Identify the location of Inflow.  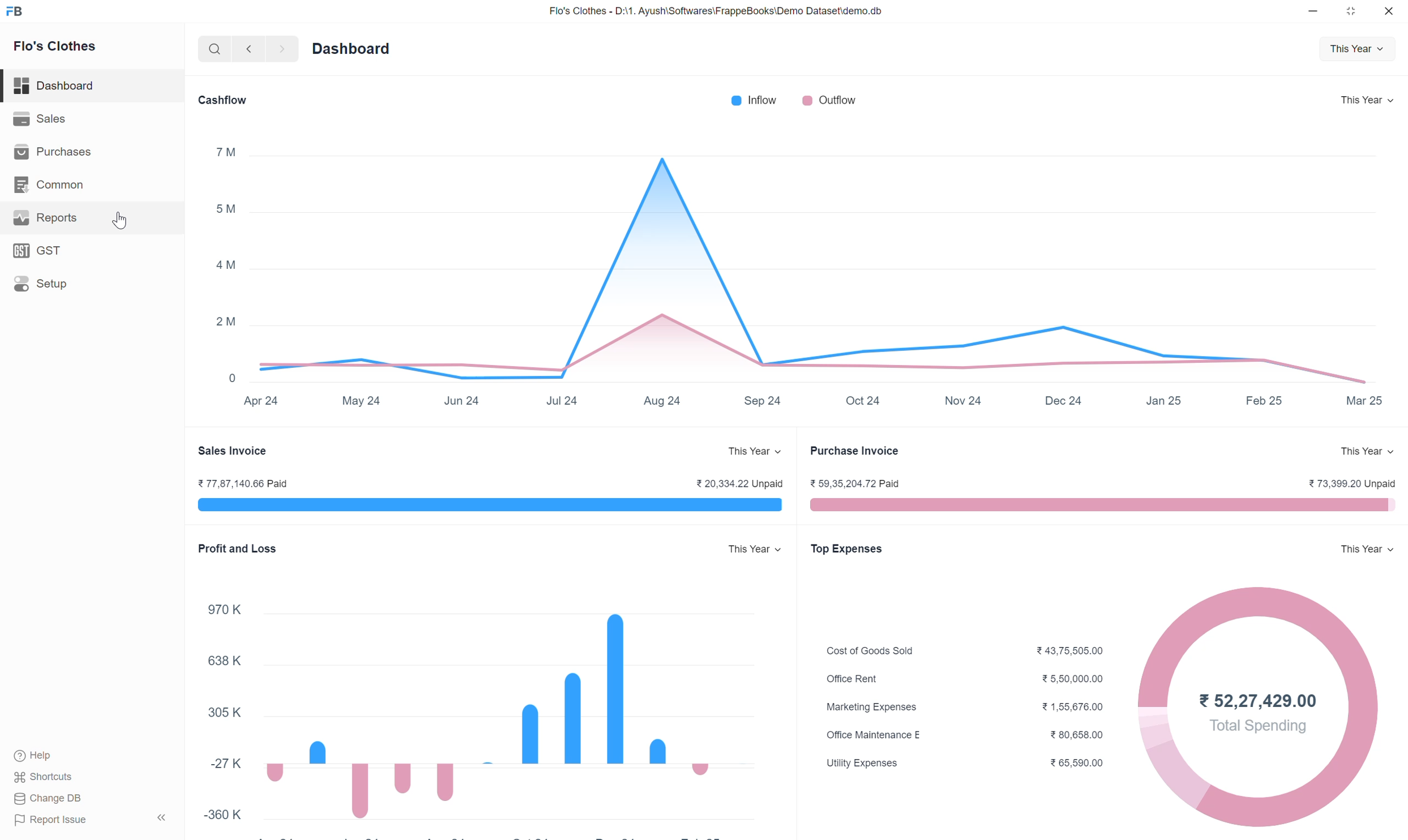
(756, 99).